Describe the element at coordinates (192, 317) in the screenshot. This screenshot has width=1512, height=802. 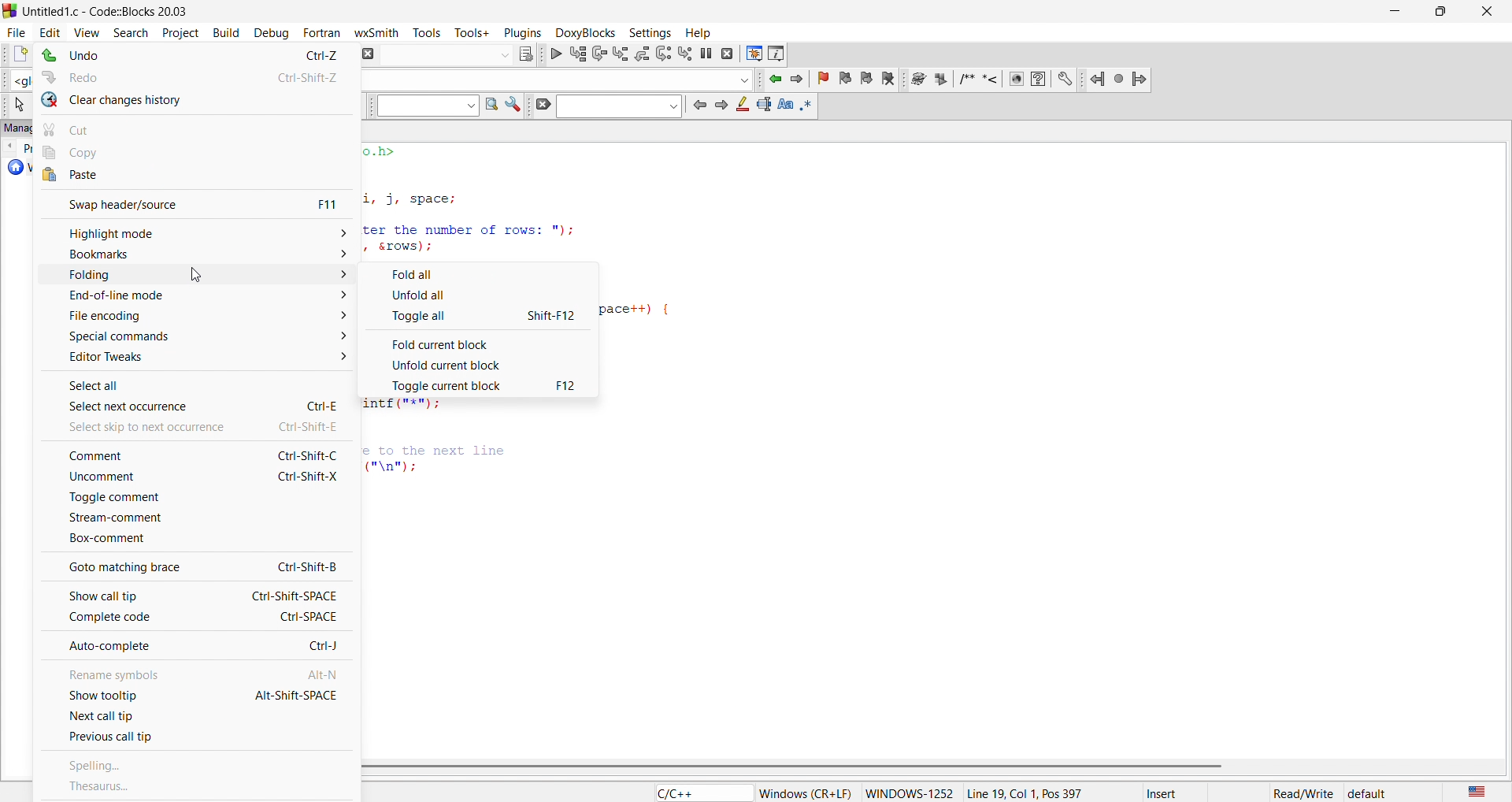
I see `file encoding` at that location.